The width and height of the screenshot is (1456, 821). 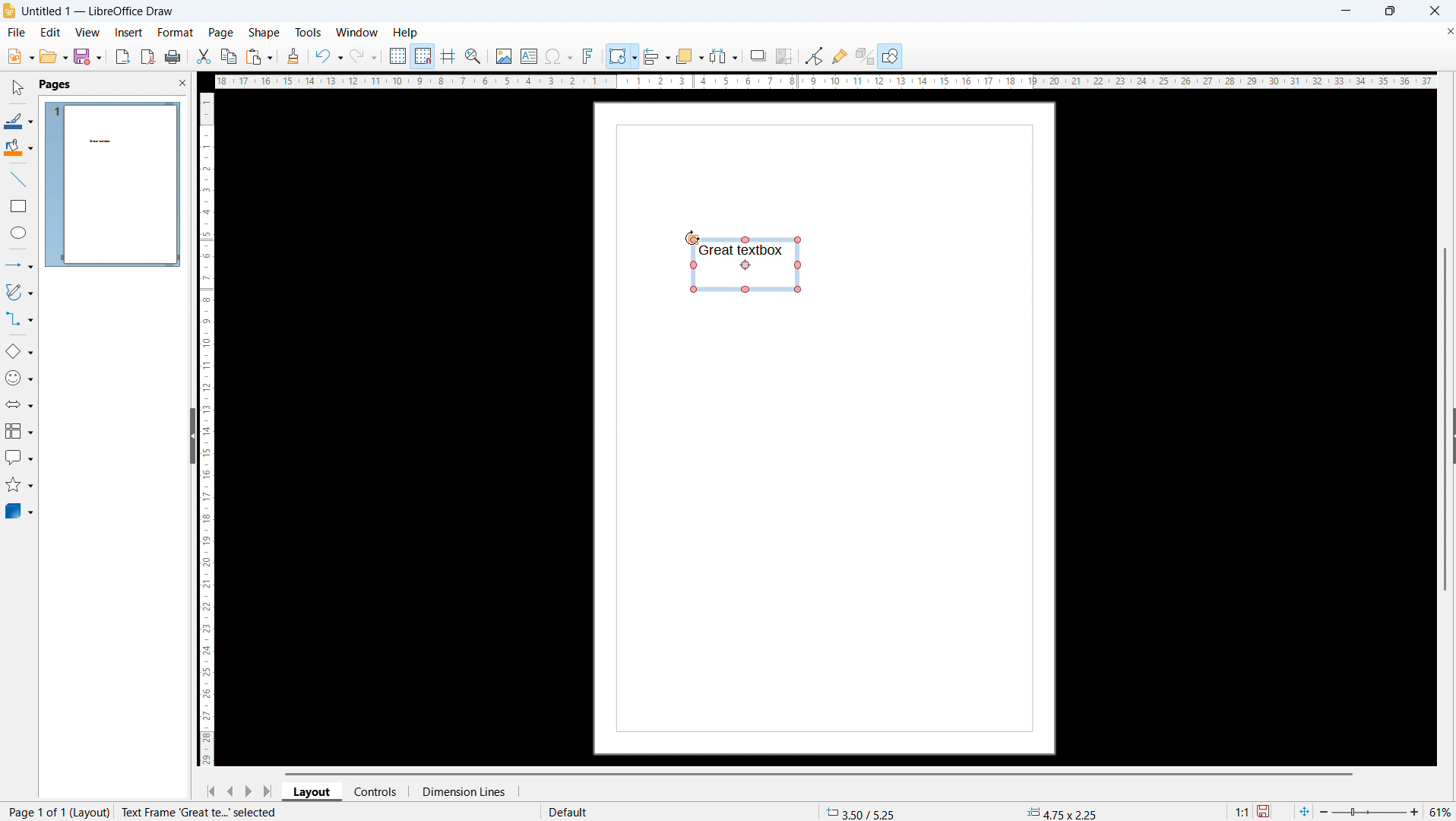 I want to click on view, so click(x=87, y=32).